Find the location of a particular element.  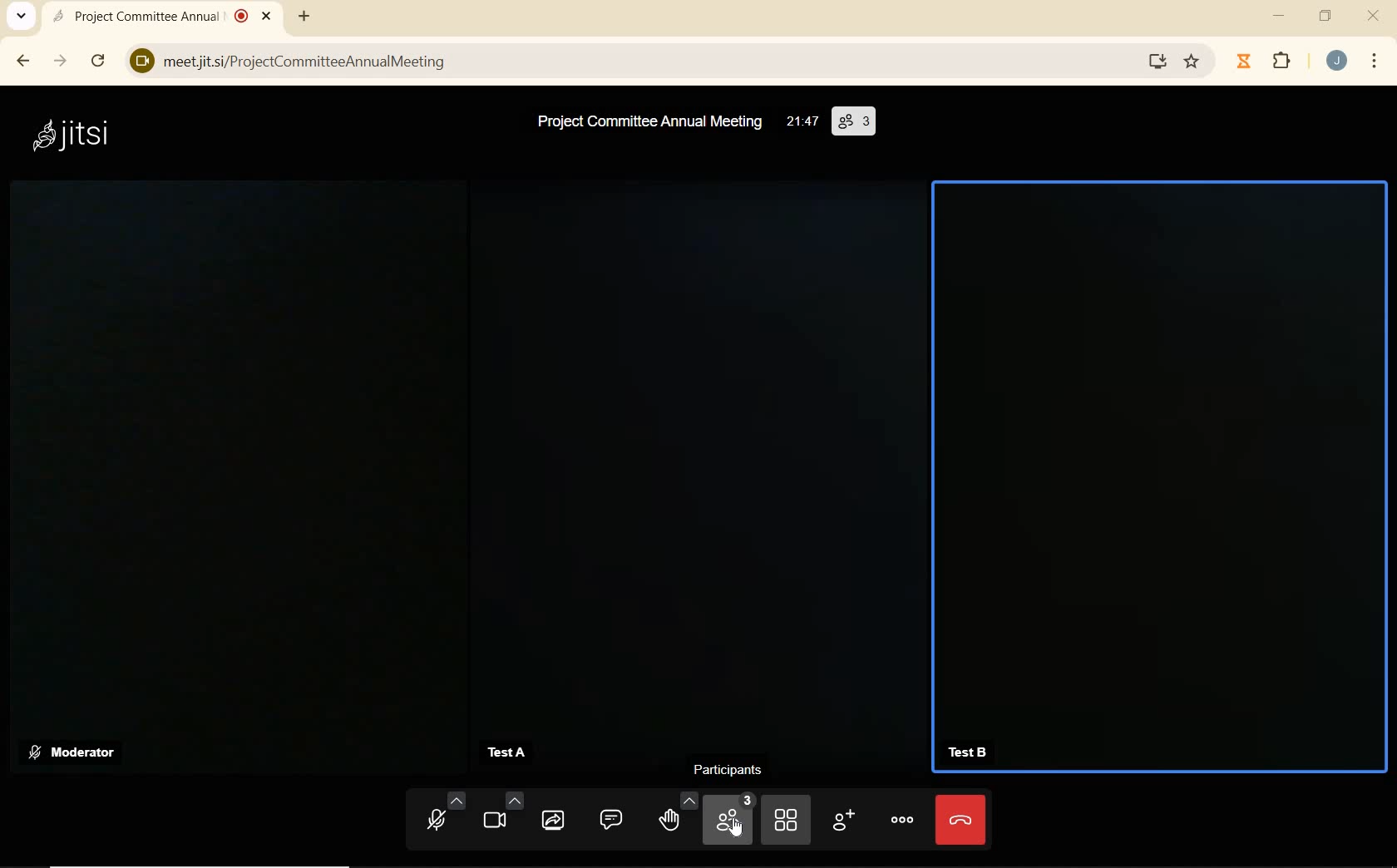

LEAVE THE MEETING is located at coordinates (960, 821).